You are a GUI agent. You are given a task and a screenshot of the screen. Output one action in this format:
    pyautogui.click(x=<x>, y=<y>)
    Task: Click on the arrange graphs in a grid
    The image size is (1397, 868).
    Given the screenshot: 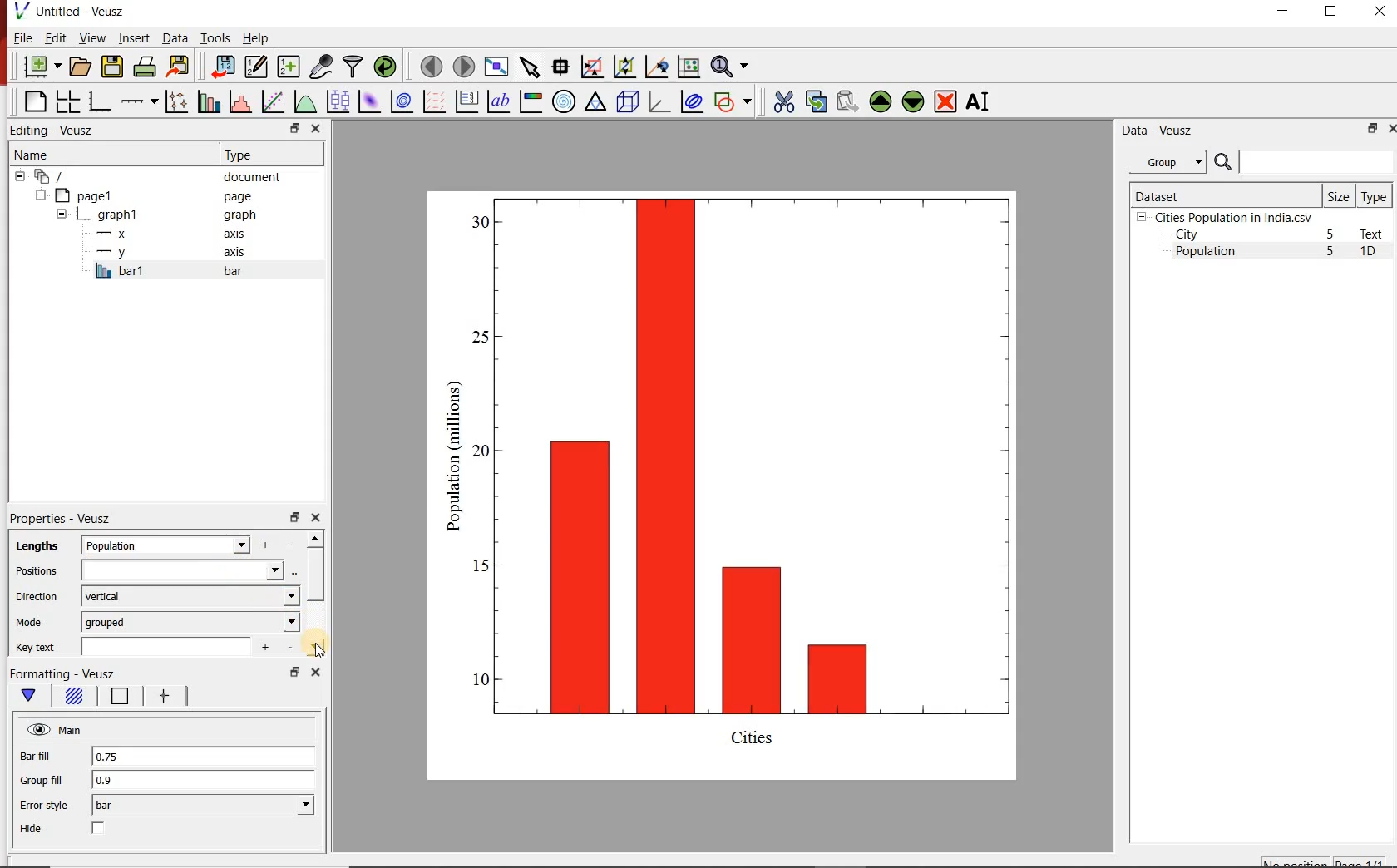 What is the action you would take?
    pyautogui.click(x=67, y=101)
    